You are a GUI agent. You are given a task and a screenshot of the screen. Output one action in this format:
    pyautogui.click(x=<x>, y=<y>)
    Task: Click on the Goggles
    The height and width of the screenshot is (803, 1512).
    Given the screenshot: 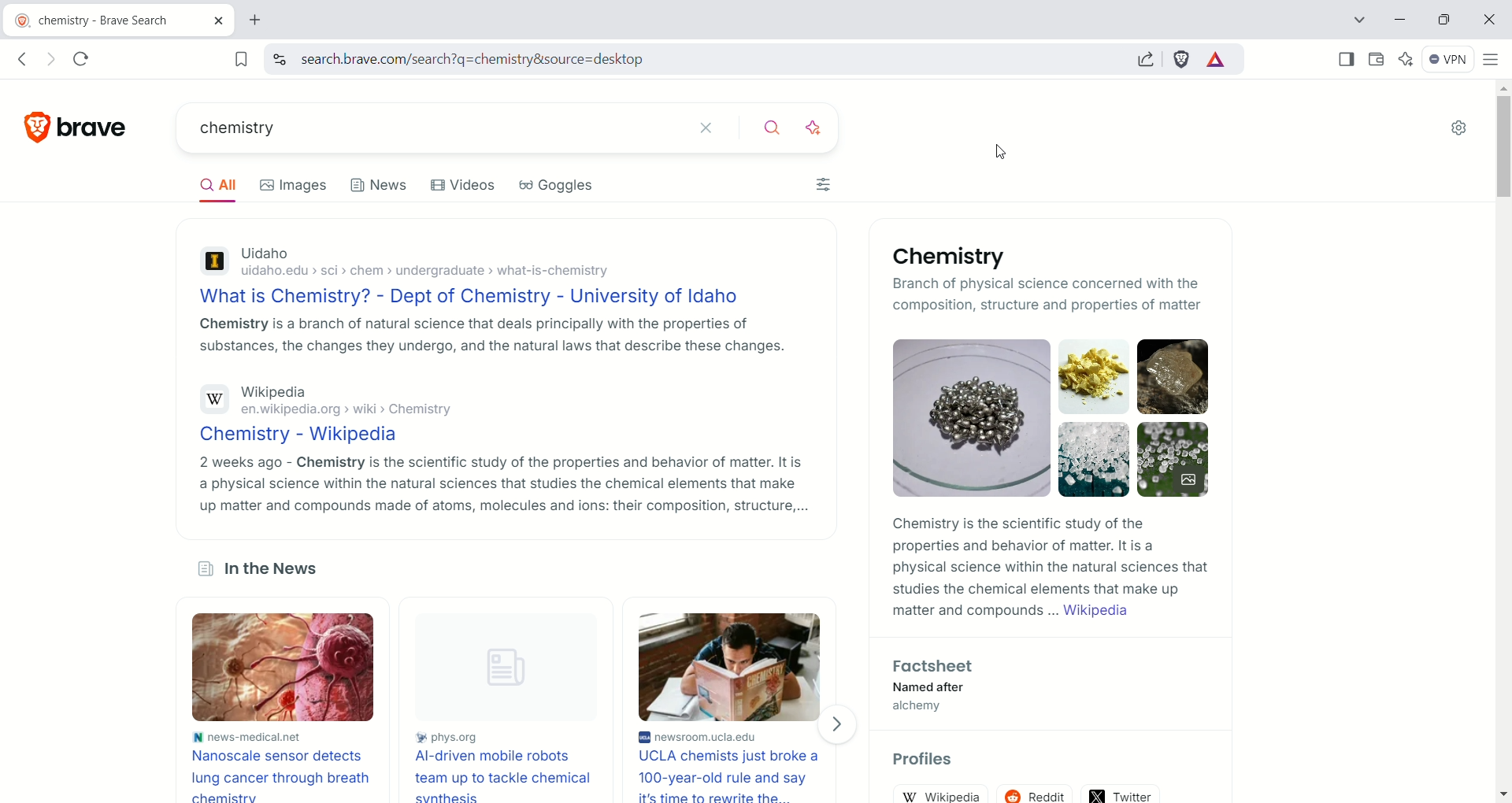 What is the action you would take?
    pyautogui.click(x=558, y=185)
    